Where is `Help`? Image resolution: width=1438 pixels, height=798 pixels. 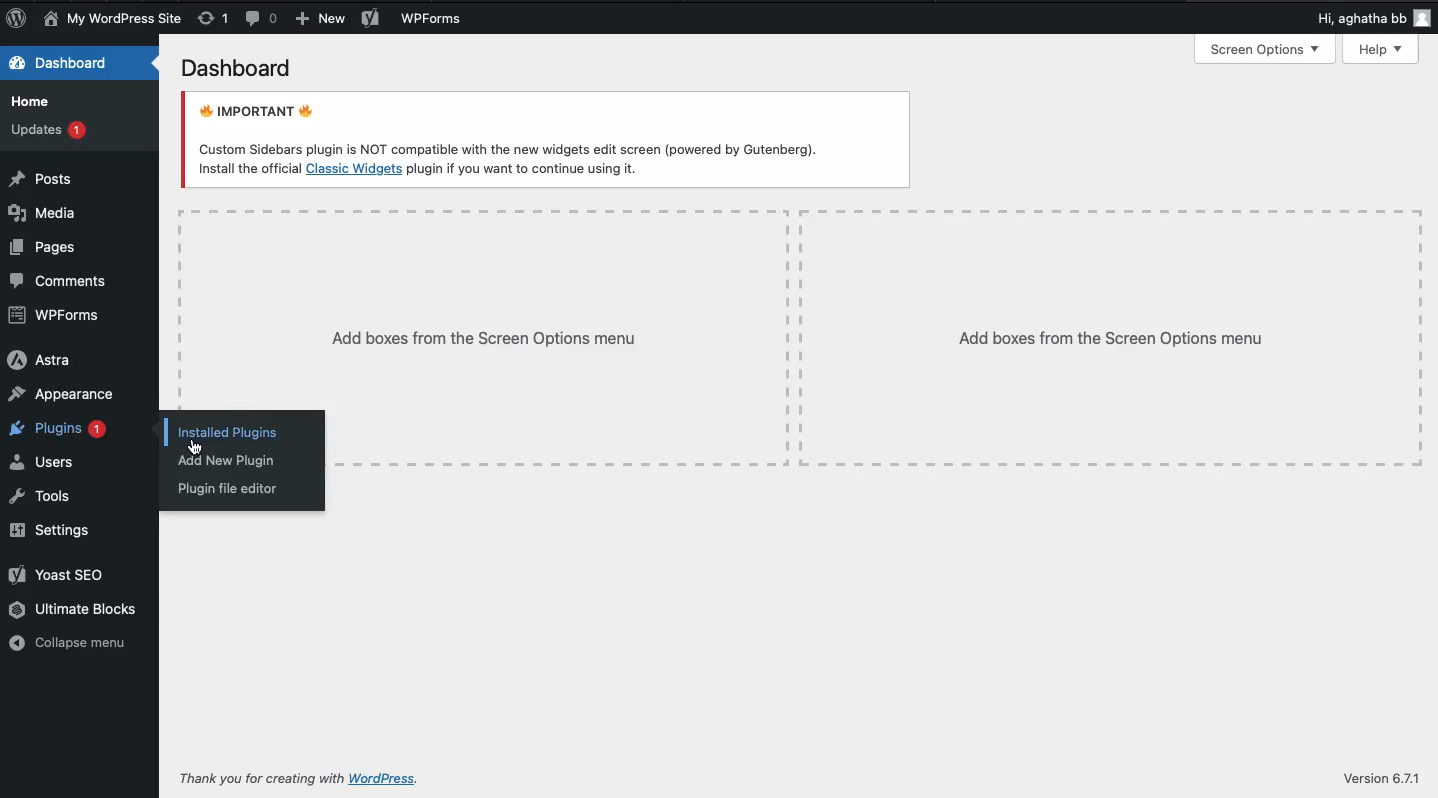
Help is located at coordinates (1382, 50).